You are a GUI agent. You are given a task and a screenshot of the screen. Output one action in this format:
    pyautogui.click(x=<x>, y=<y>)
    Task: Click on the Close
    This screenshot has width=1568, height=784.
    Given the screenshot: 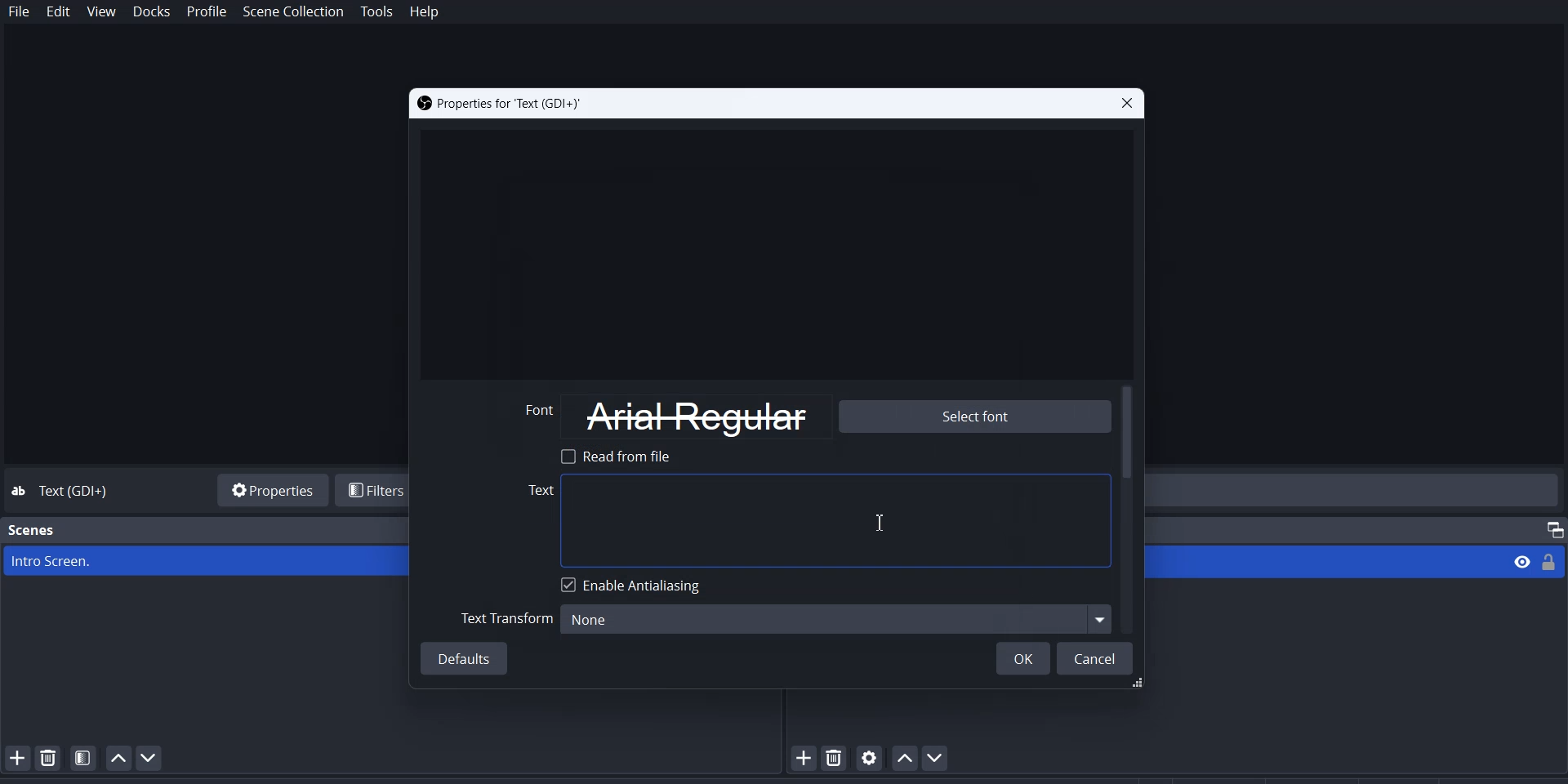 What is the action you would take?
    pyautogui.click(x=1125, y=104)
    